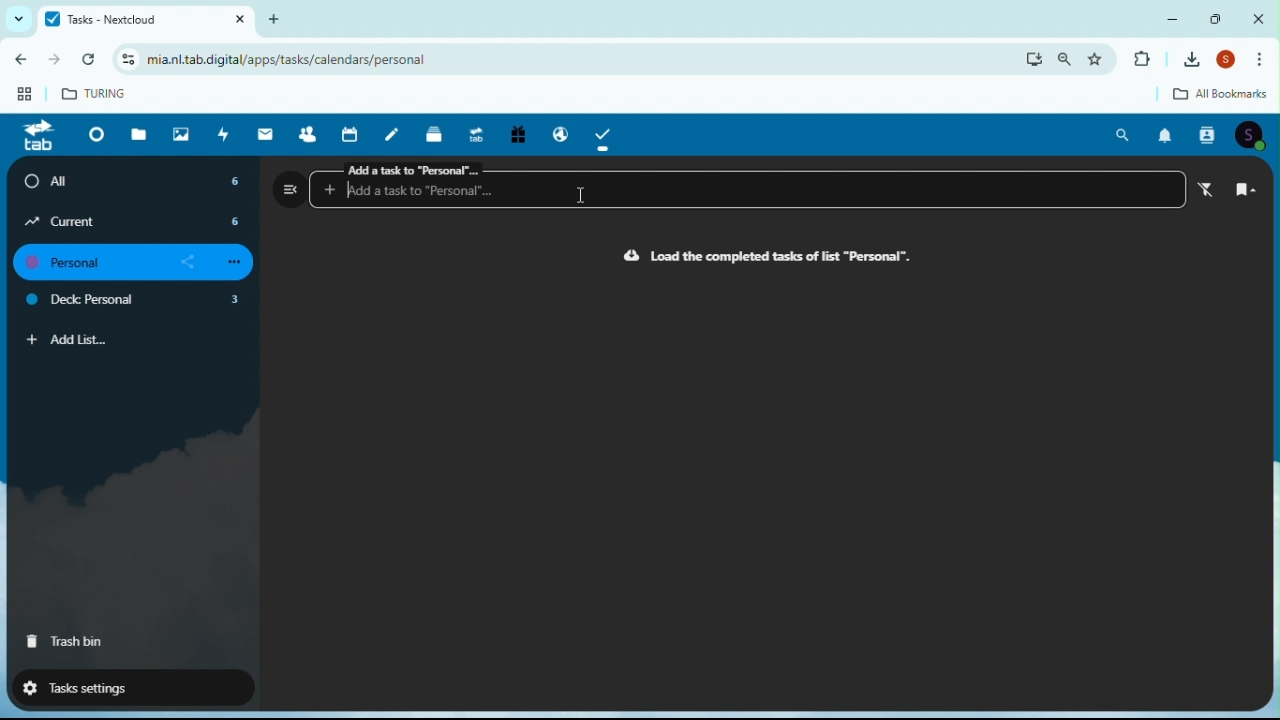 The width and height of the screenshot is (1280, 720). What do you see at coordinates (1066, 59) in the screenshot?
I see `search` at bounding box center [1066, 59].